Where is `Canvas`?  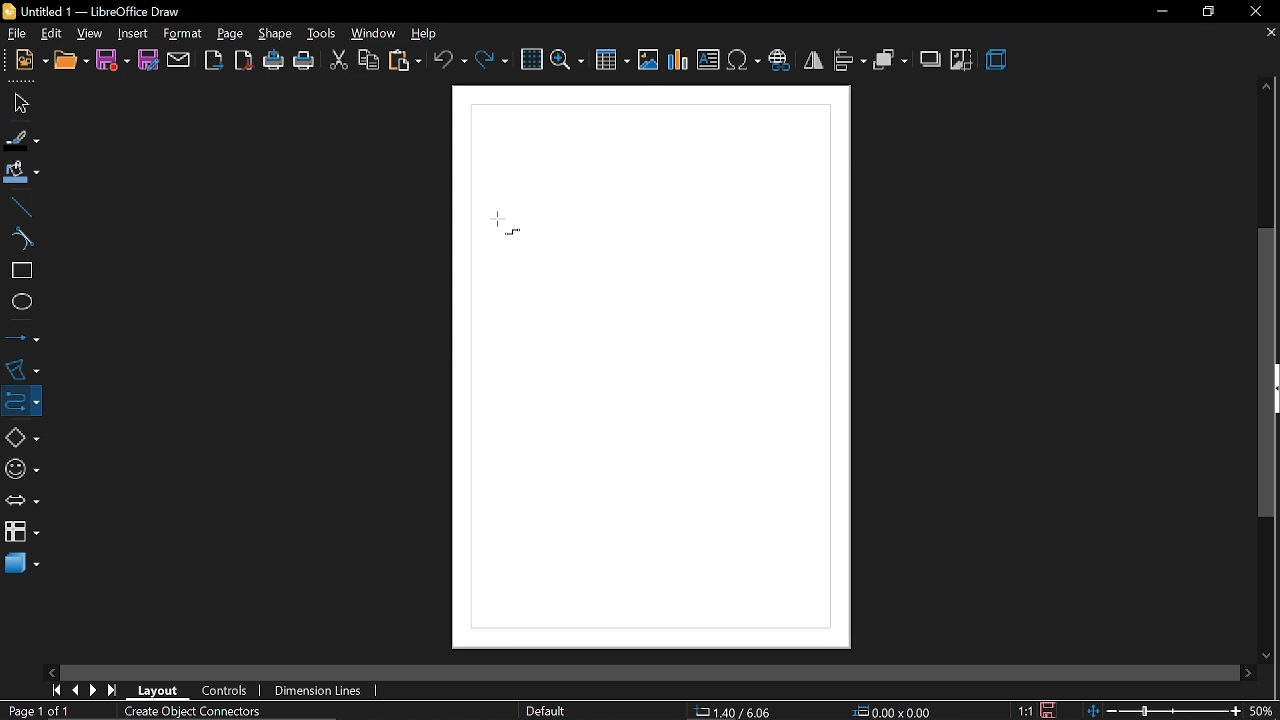
Canvas is located at coordinates (654, 367).